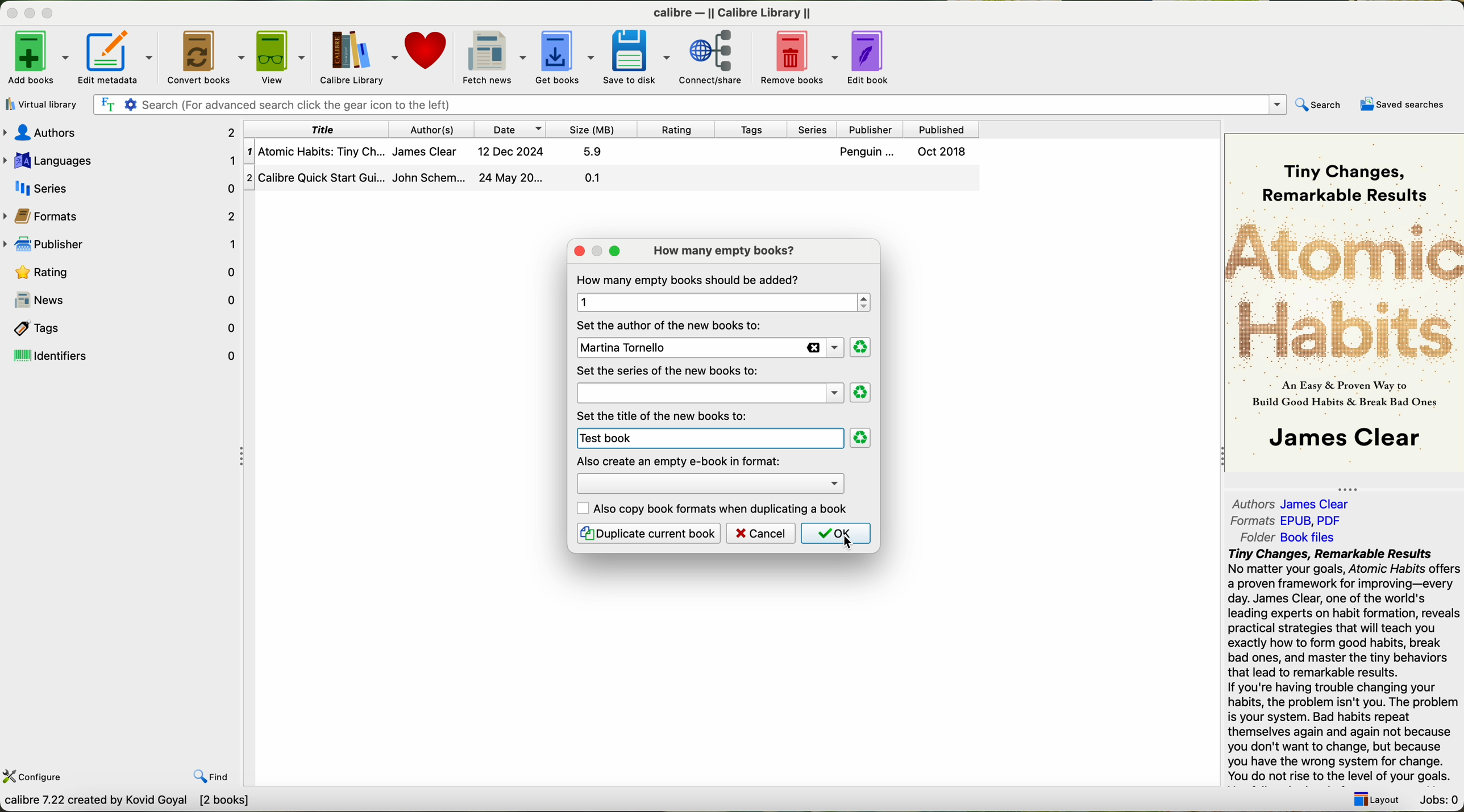 This screenshot has height=812, width=1464. What do you see at coordinates (205, 56) in the screenshot?
I see `convert books` at bounding box center [205, 56].